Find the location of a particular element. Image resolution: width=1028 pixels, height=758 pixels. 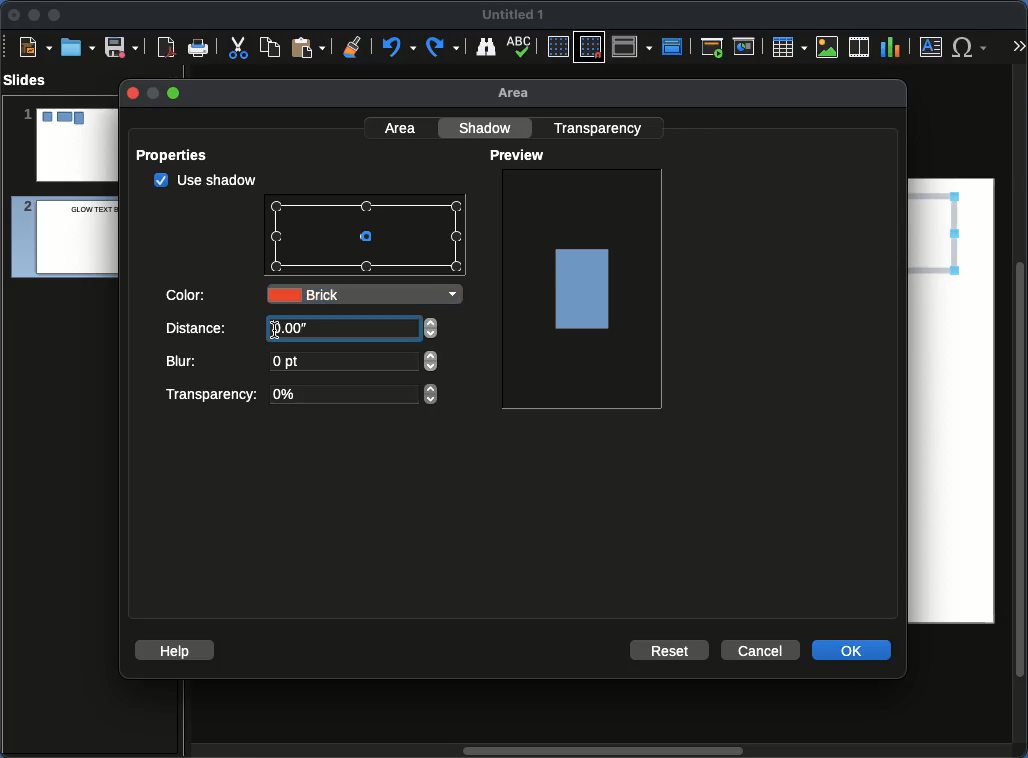

Properties is located at coordinates (178, 155).